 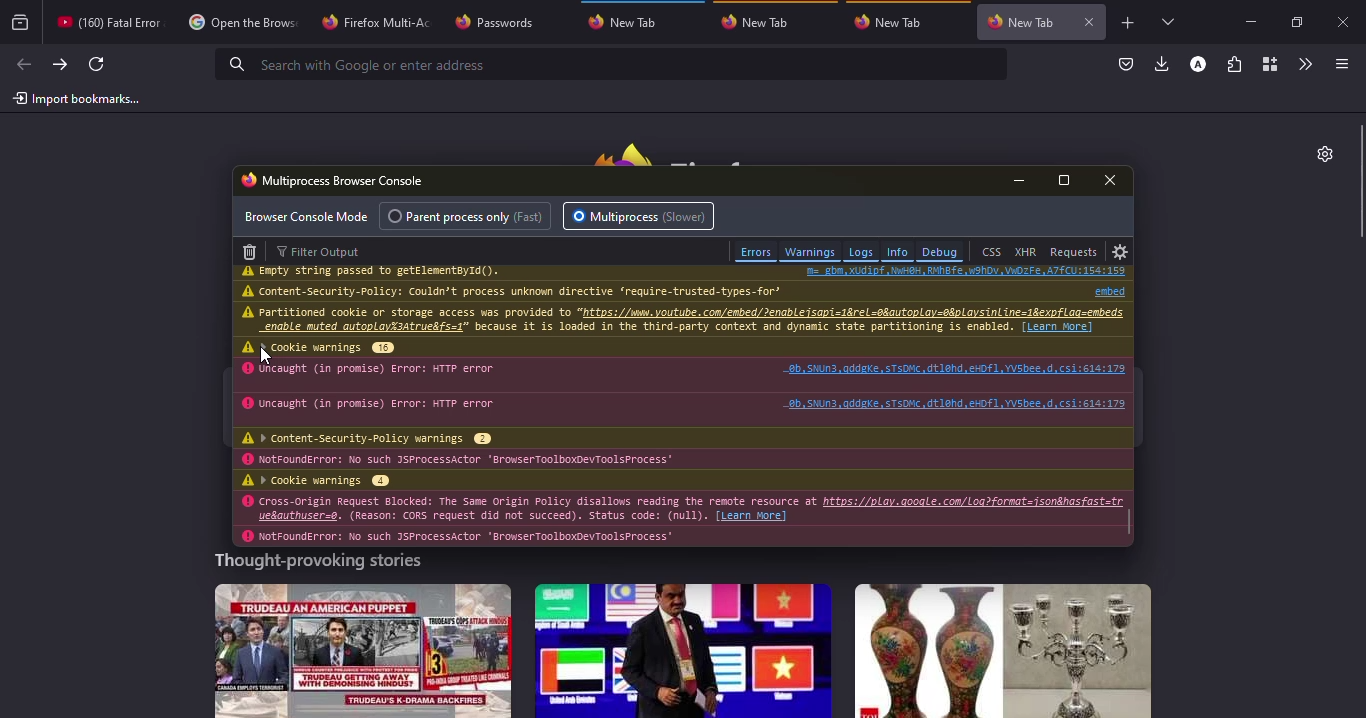 I want to click on css, so click(x=991, y=252).